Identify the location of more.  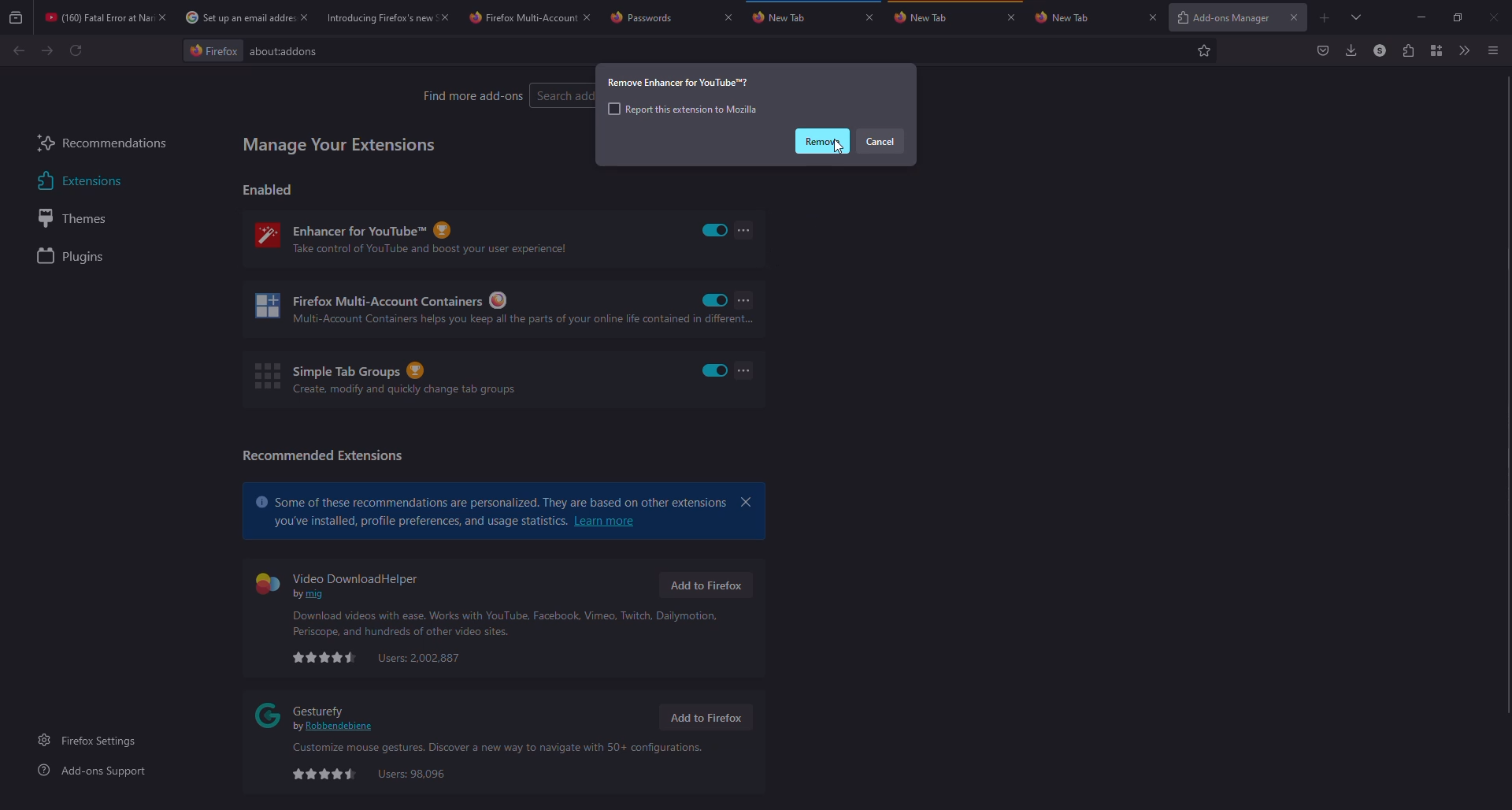
(743, 229).